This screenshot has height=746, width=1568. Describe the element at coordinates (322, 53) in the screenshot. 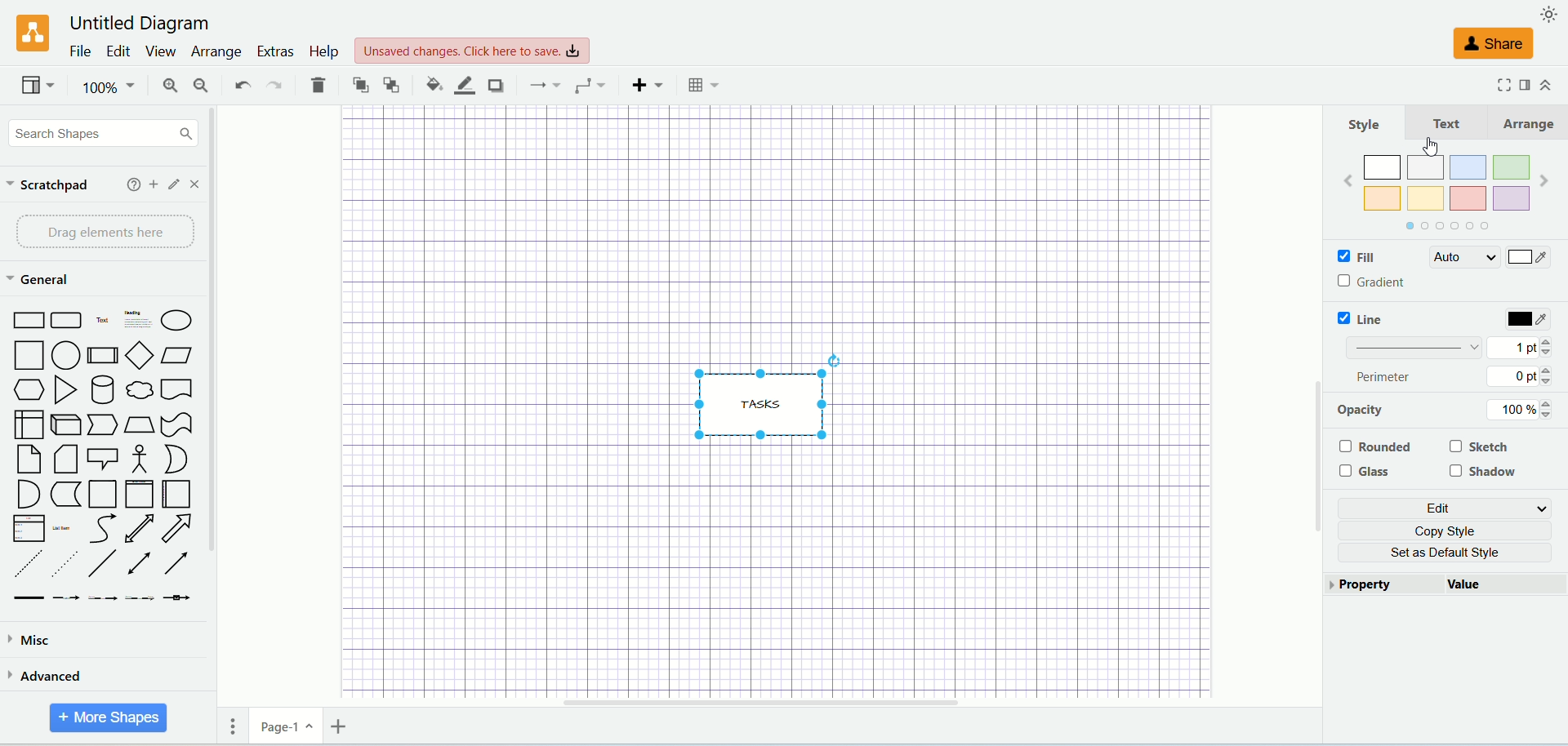

I see `help` at that location.